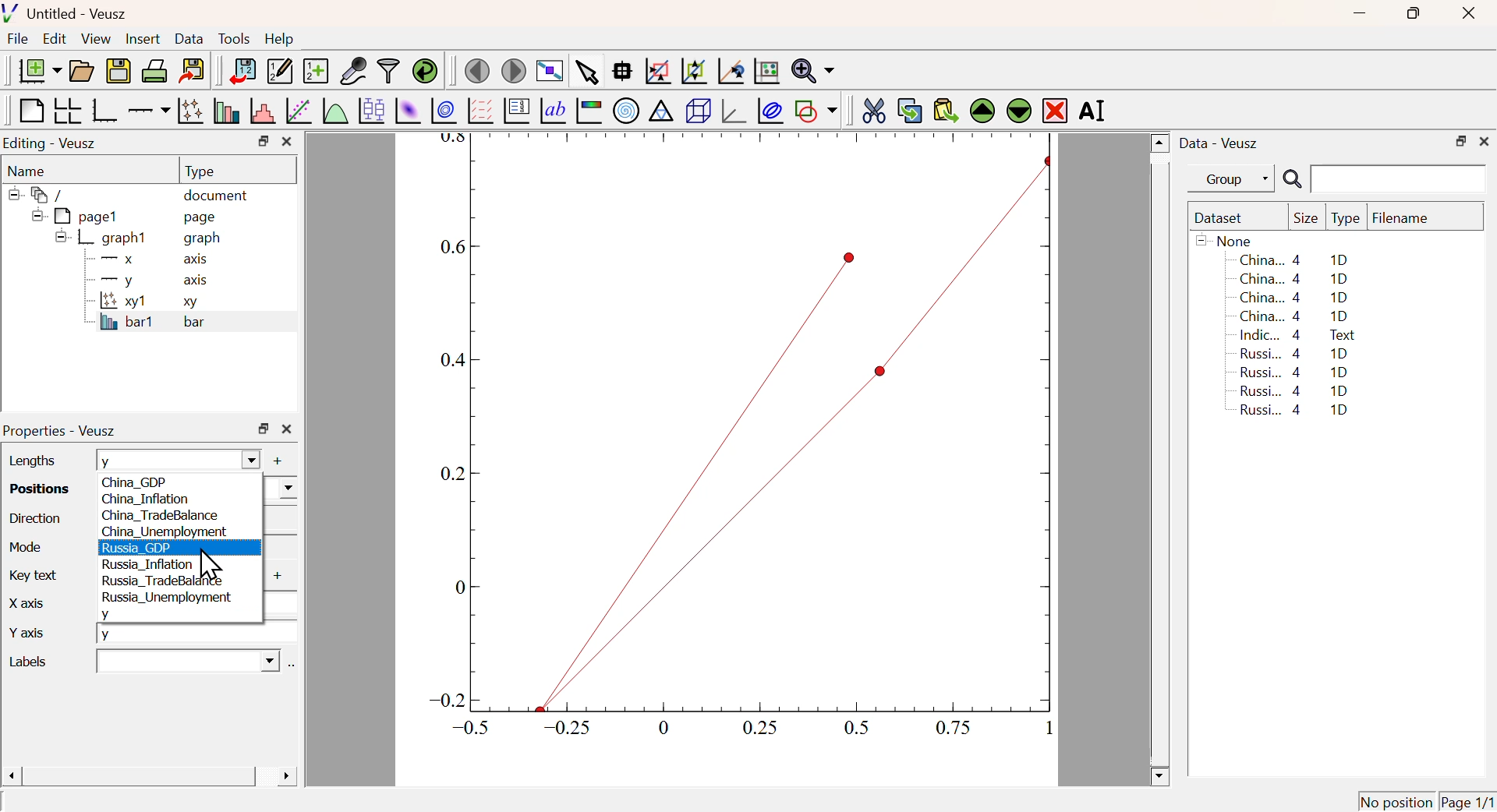  Describe the element at coordinates (189, 38) in the screenshot. I see `Data` at that location.